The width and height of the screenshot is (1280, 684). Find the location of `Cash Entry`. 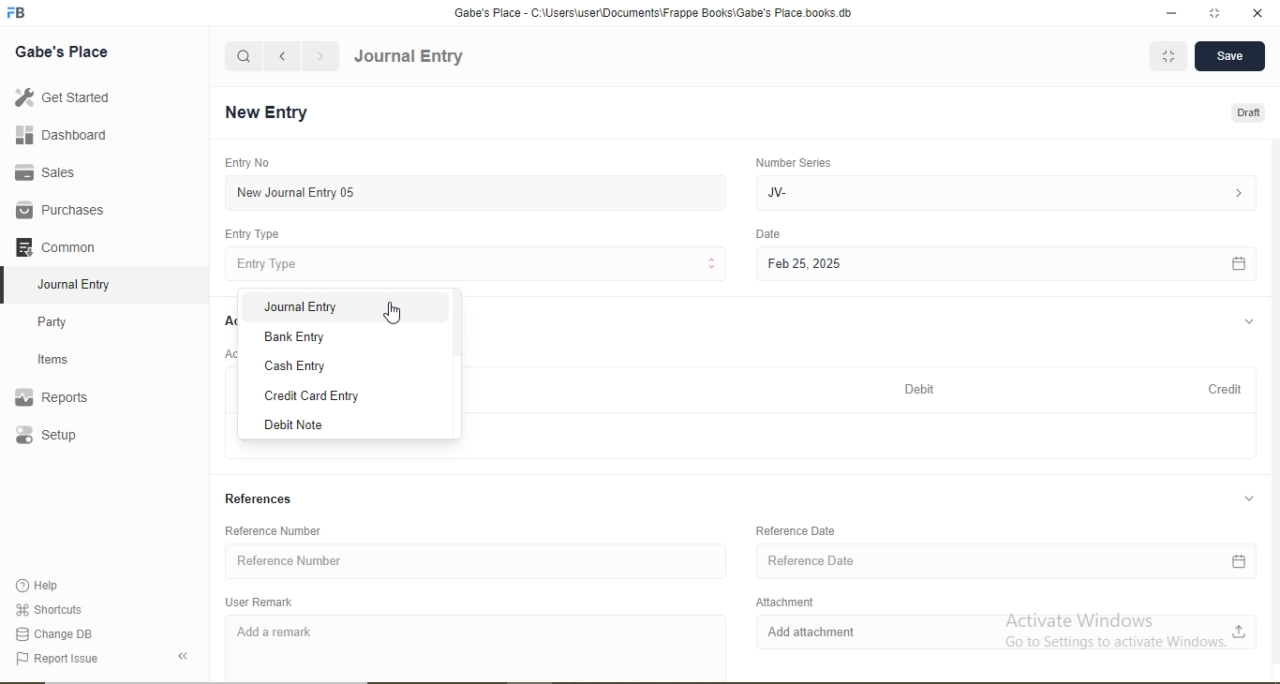

Cash Entry is located at coordinates (338, 365).